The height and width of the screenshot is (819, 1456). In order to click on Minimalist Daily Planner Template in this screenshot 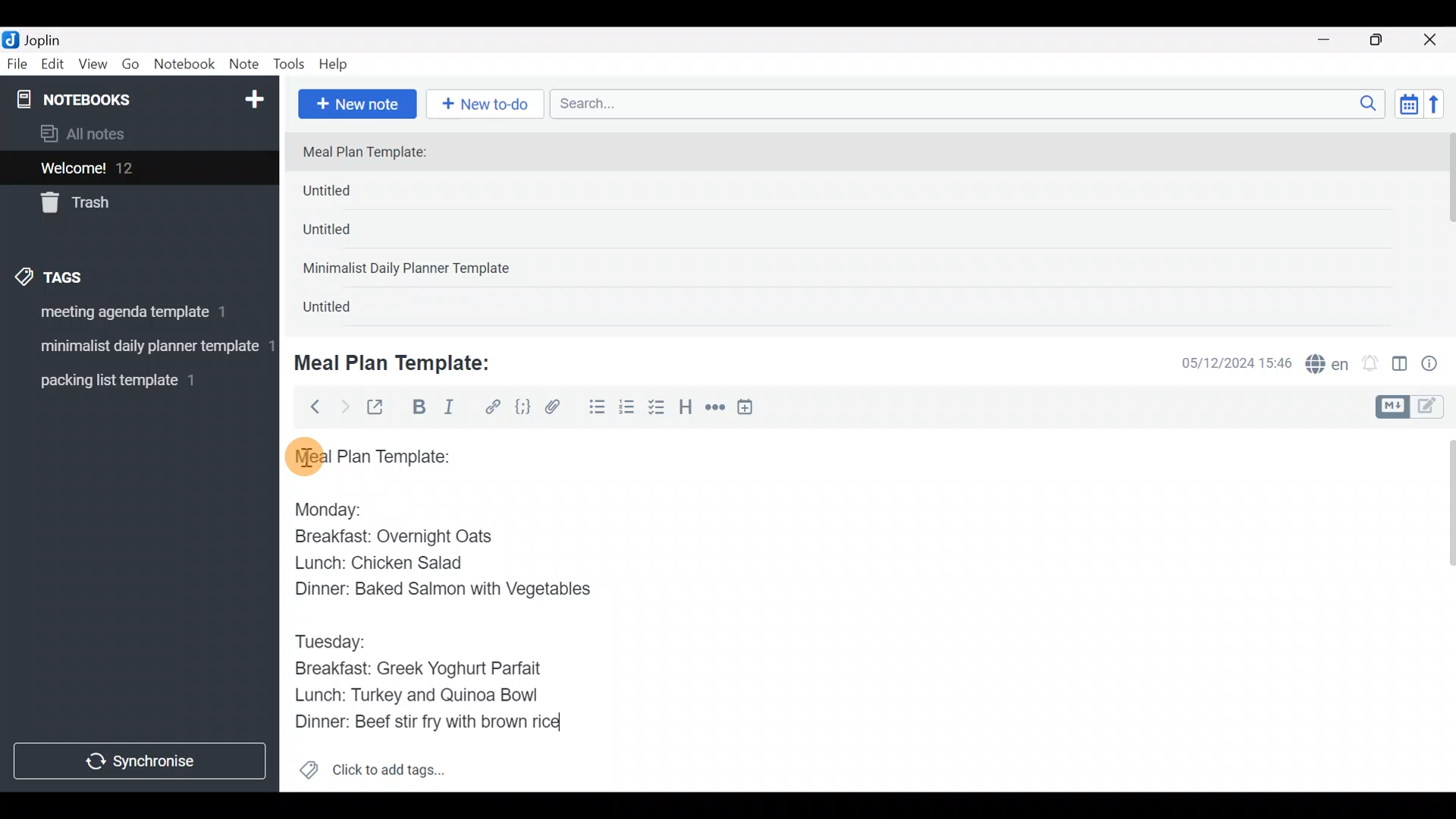, I will do `click(411, 270)`.